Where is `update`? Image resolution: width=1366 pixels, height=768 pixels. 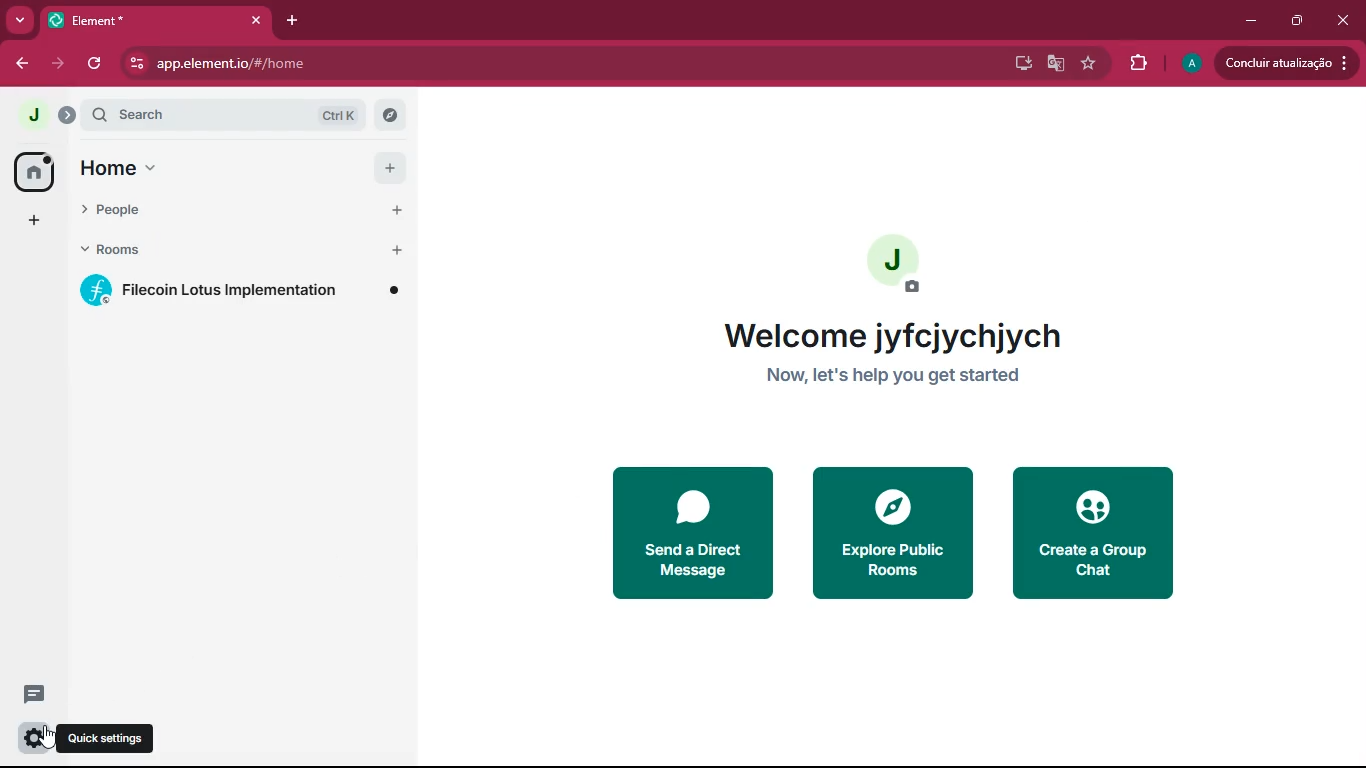
update is located at coordinates (1286, 64).